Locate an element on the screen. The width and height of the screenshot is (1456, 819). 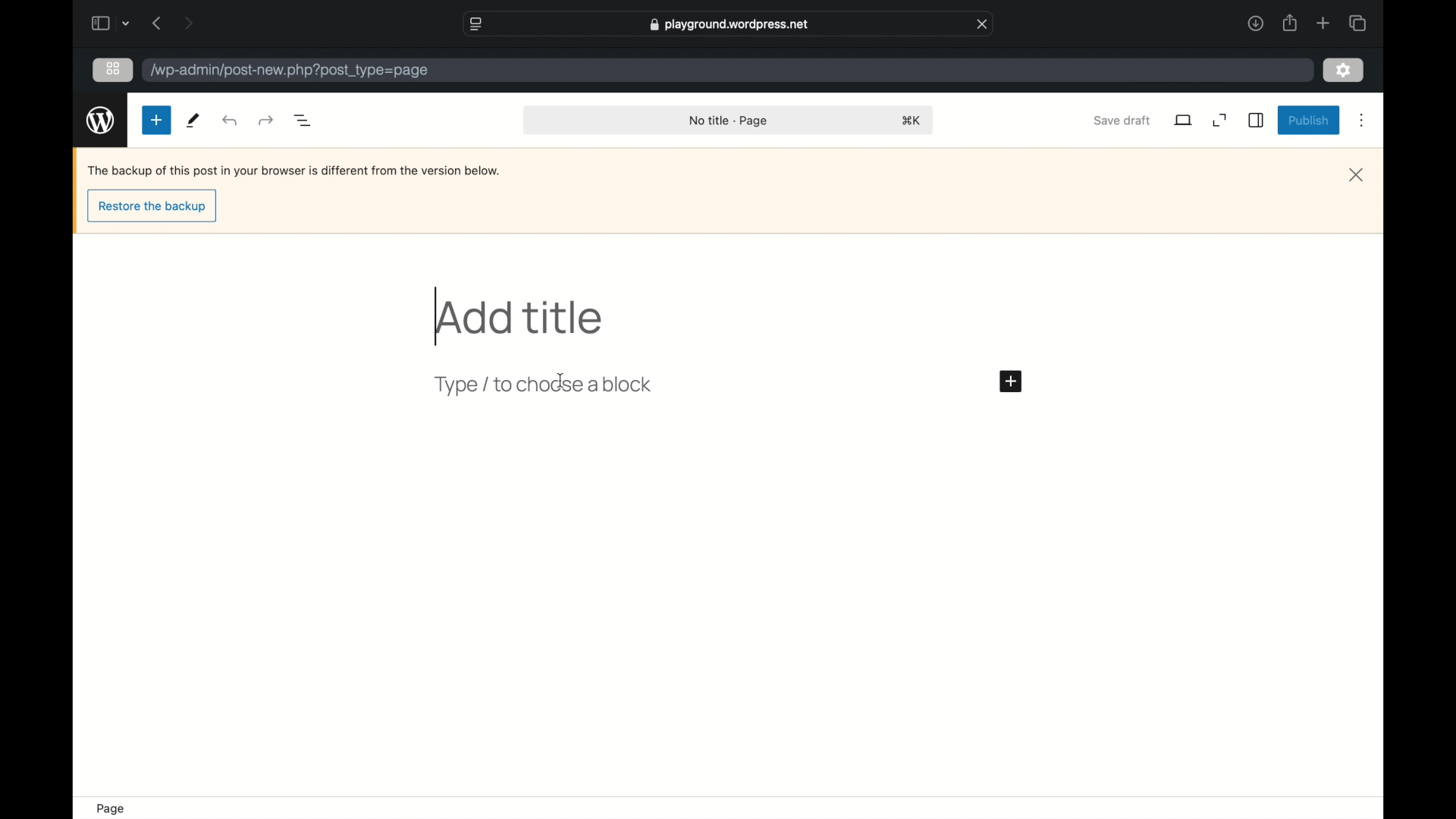
redo is located at coordinates (231, 120).